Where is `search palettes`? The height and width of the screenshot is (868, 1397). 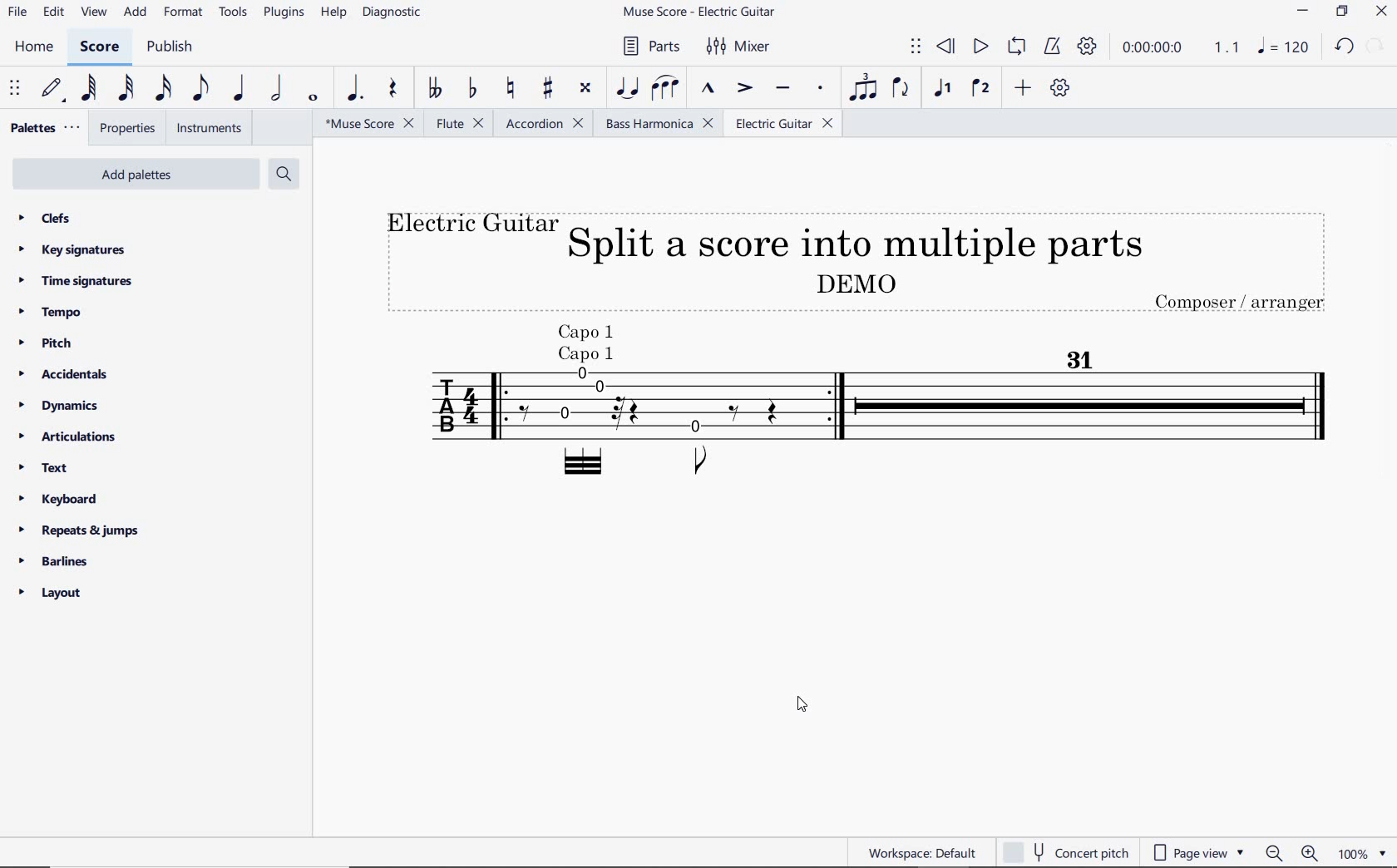
search palettes is located at coordinates (282, 175).